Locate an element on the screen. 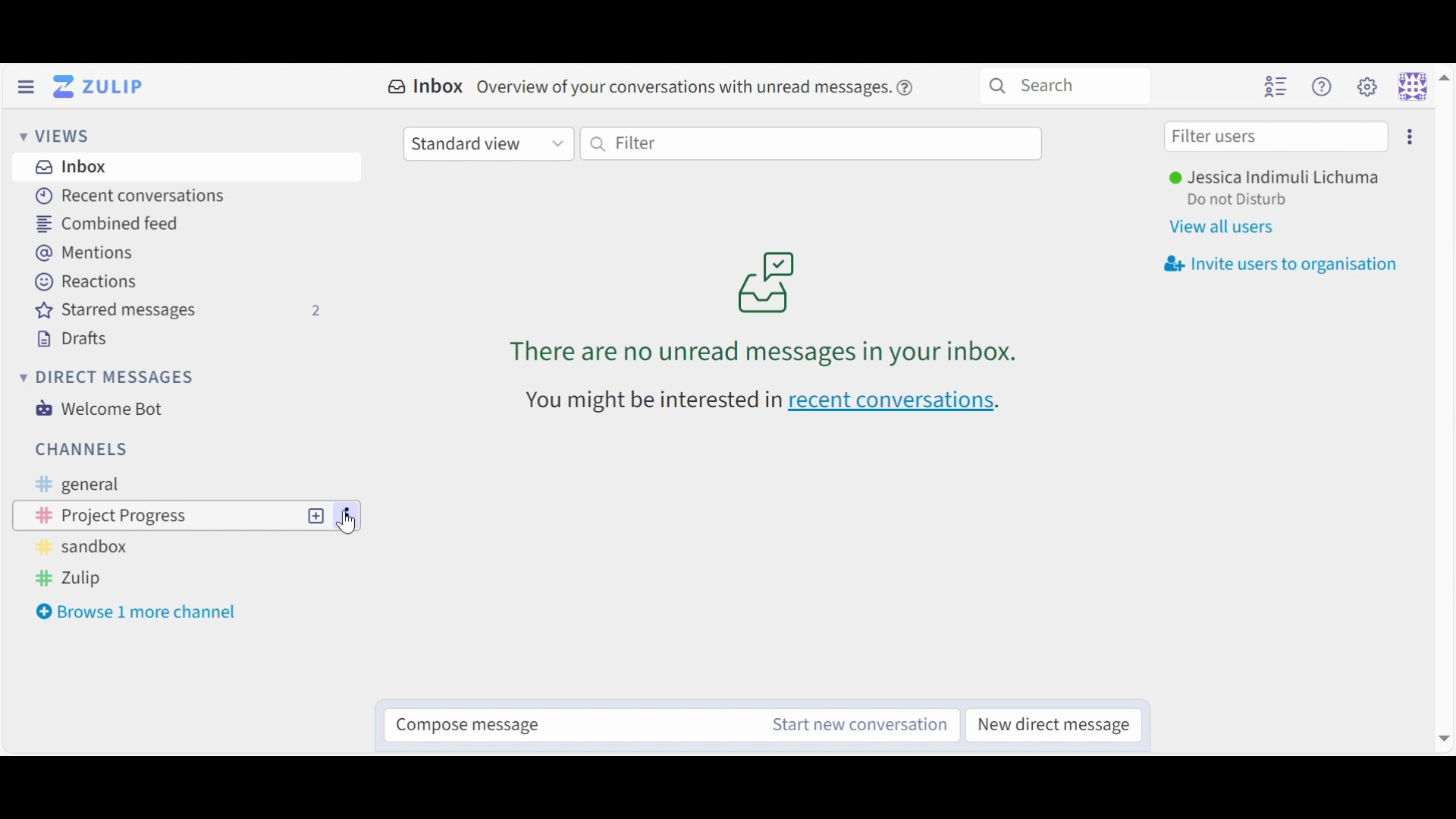 This screenshot has height=819, width=1456. Personal menu is located at coordinates (1423, 86).